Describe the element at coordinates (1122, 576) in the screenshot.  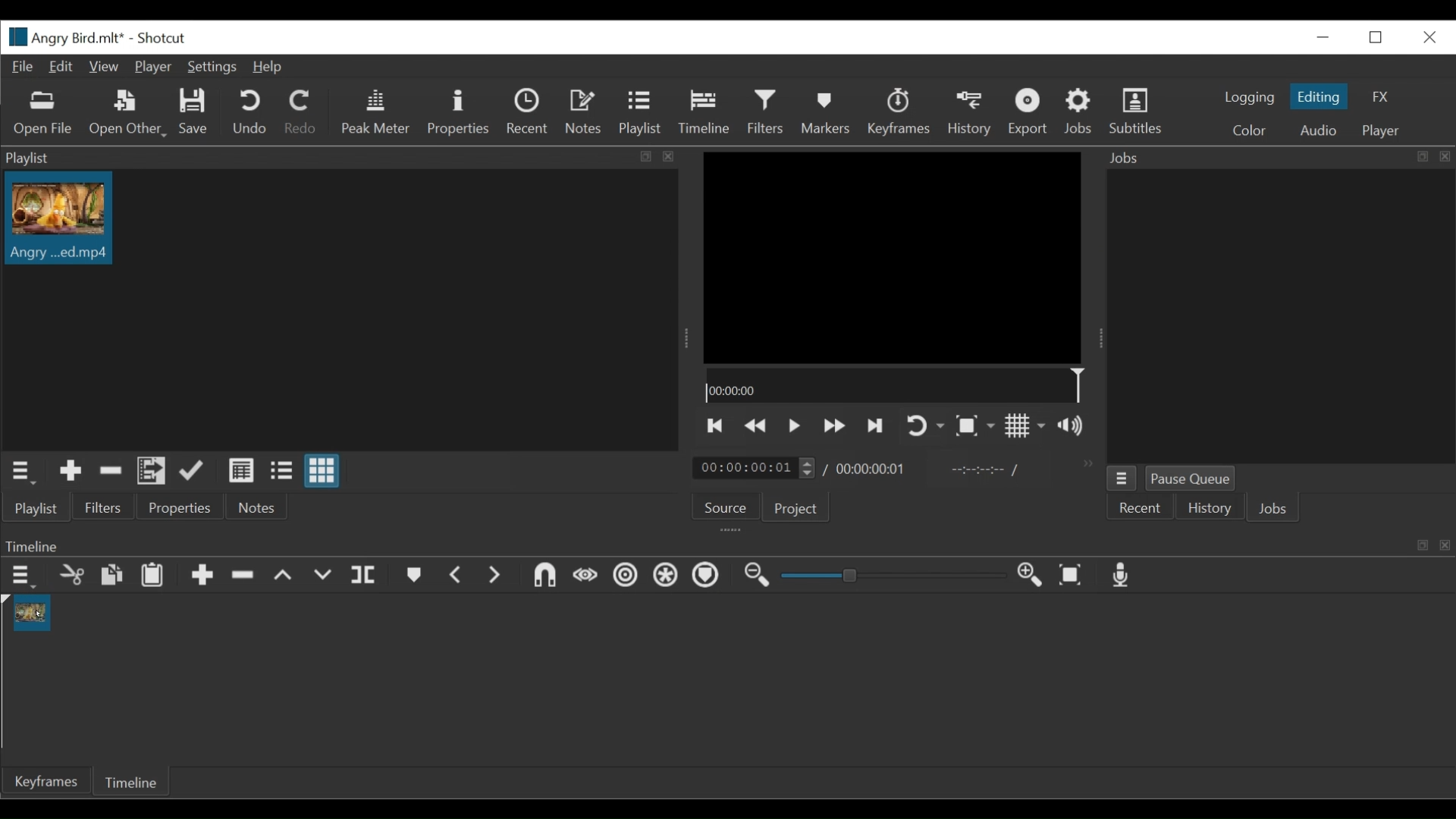
I see `Record audio` at that location.